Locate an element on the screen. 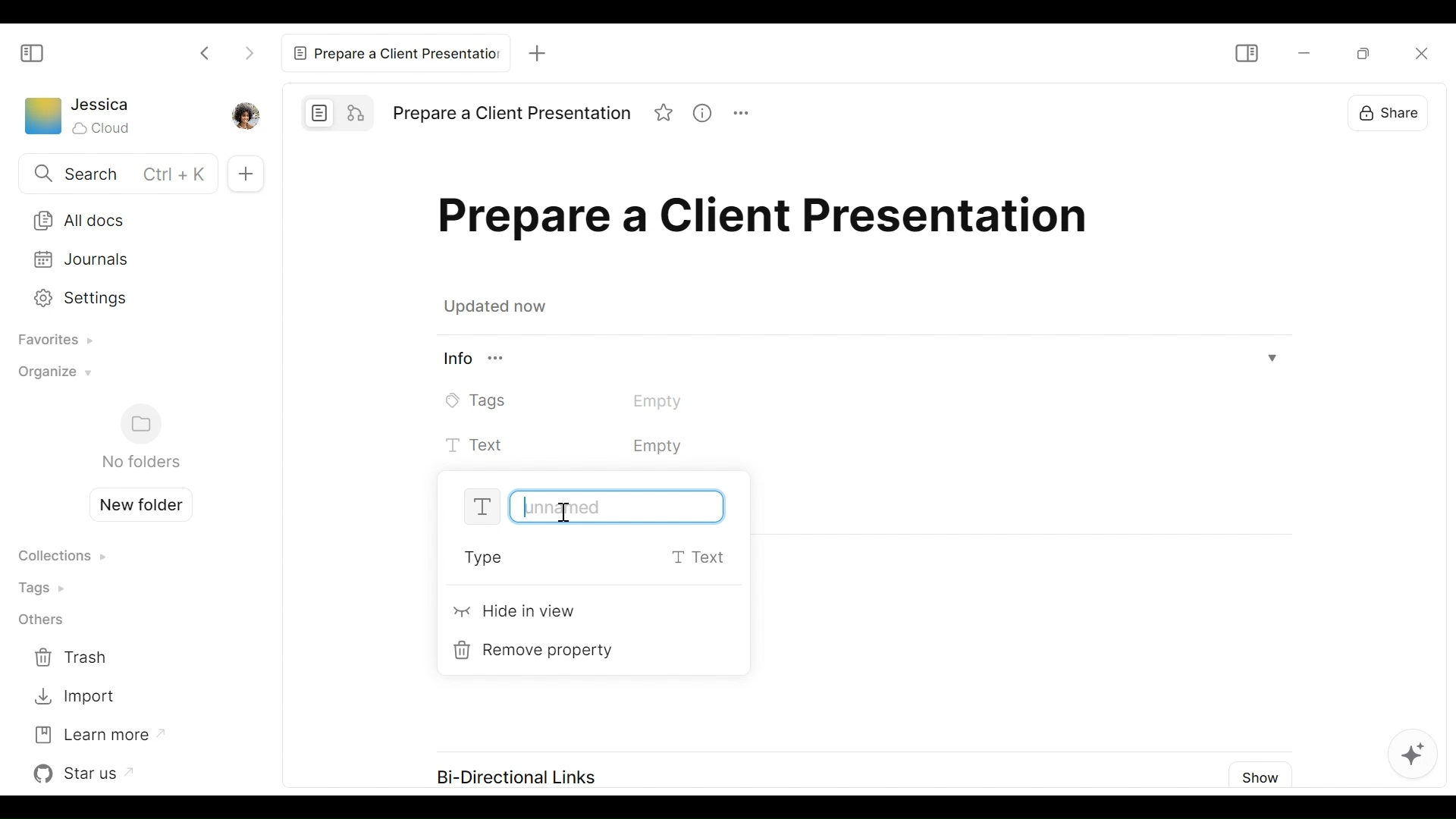 The height and width of the screenshot is (819, 1456). Star us is located at coordinates (87, 773).